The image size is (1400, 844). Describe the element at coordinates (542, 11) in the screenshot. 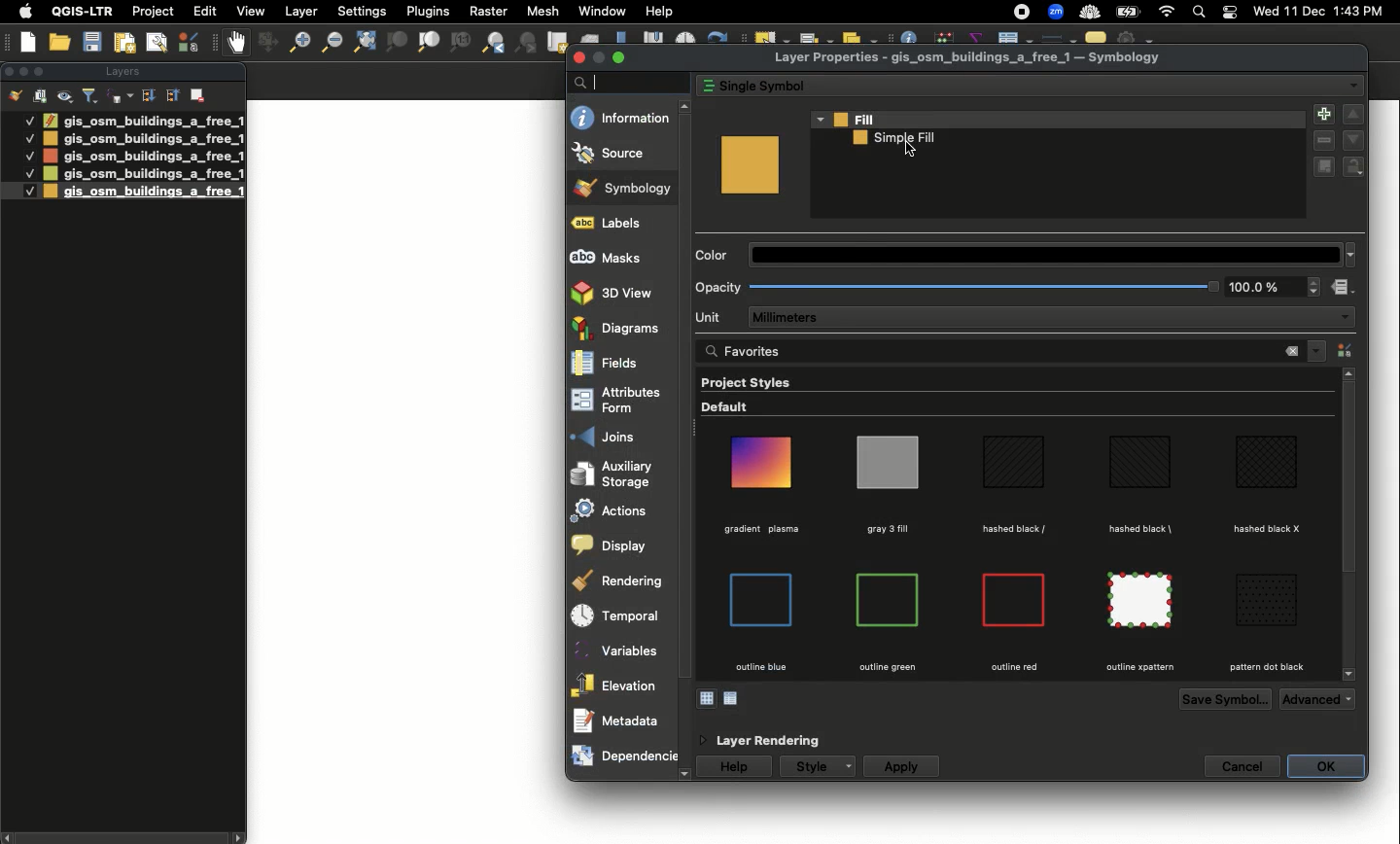

I see `Mesh` at that location.